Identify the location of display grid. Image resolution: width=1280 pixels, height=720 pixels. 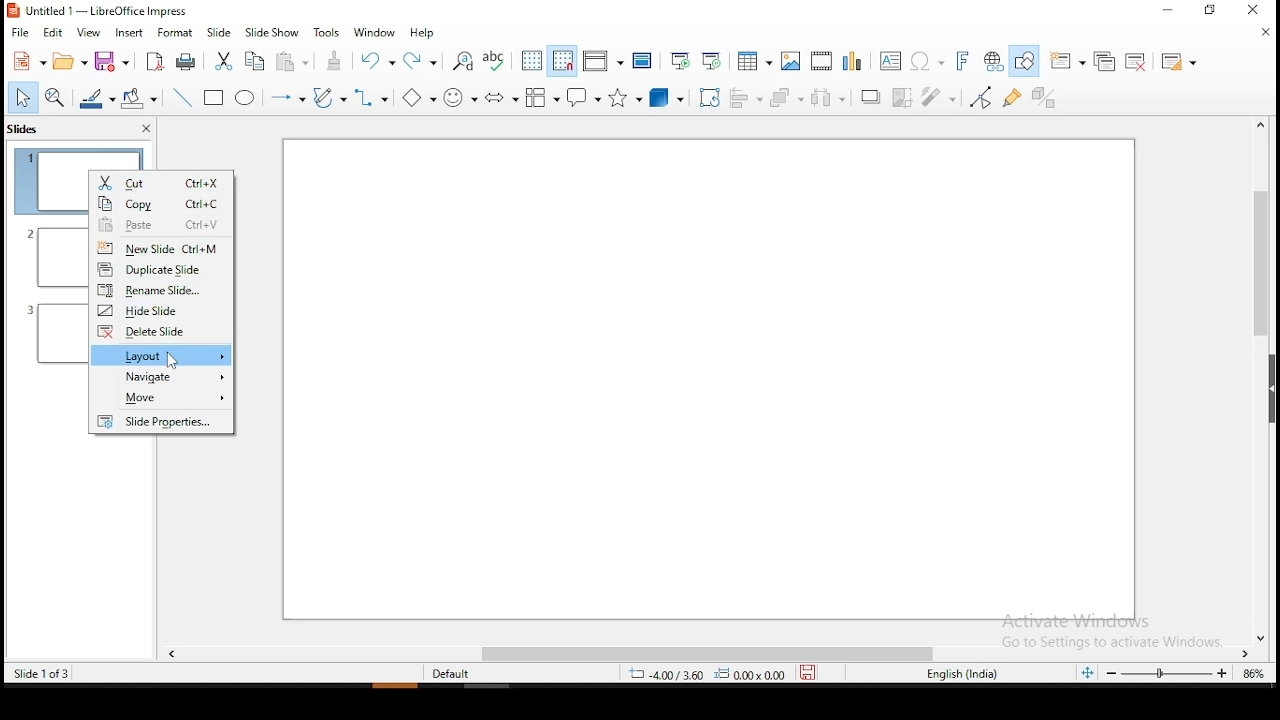
(532, 62).